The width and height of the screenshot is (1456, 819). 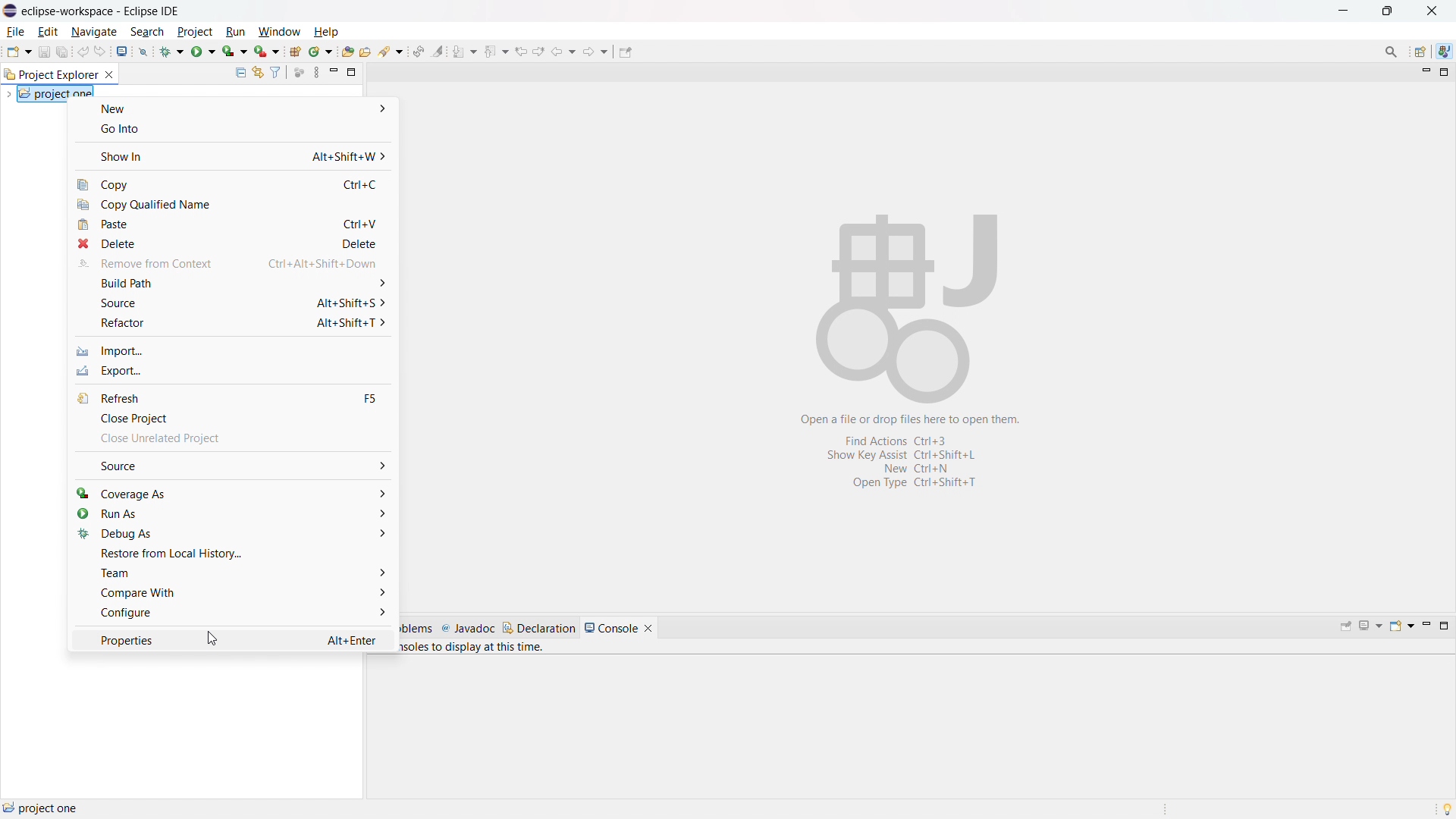 What do you see at coordinates (626, 52) in the screenshot?
I see `pin editor` at bounding box center [626, 52].